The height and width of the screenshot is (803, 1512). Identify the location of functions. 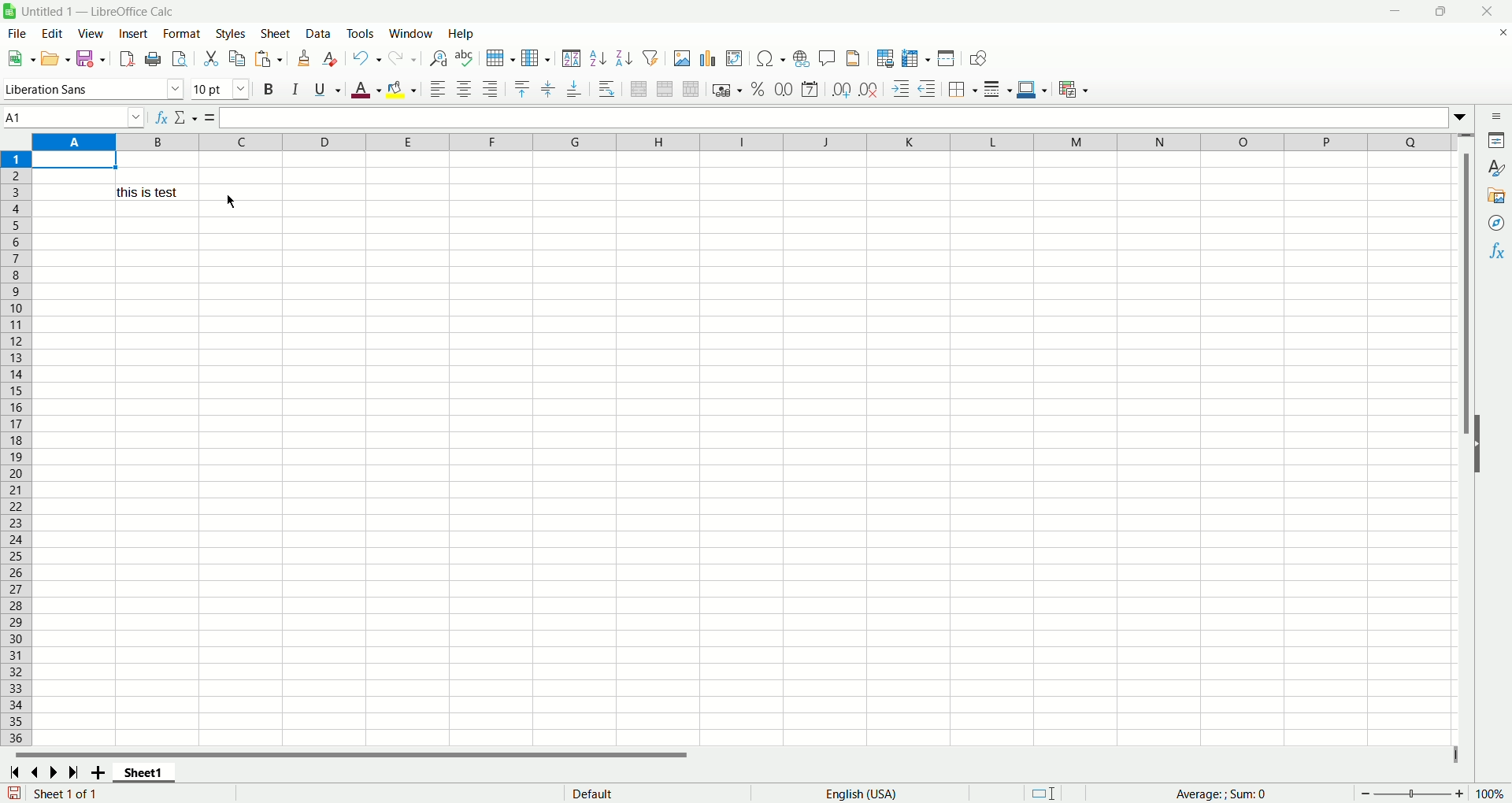
(1496, 250).